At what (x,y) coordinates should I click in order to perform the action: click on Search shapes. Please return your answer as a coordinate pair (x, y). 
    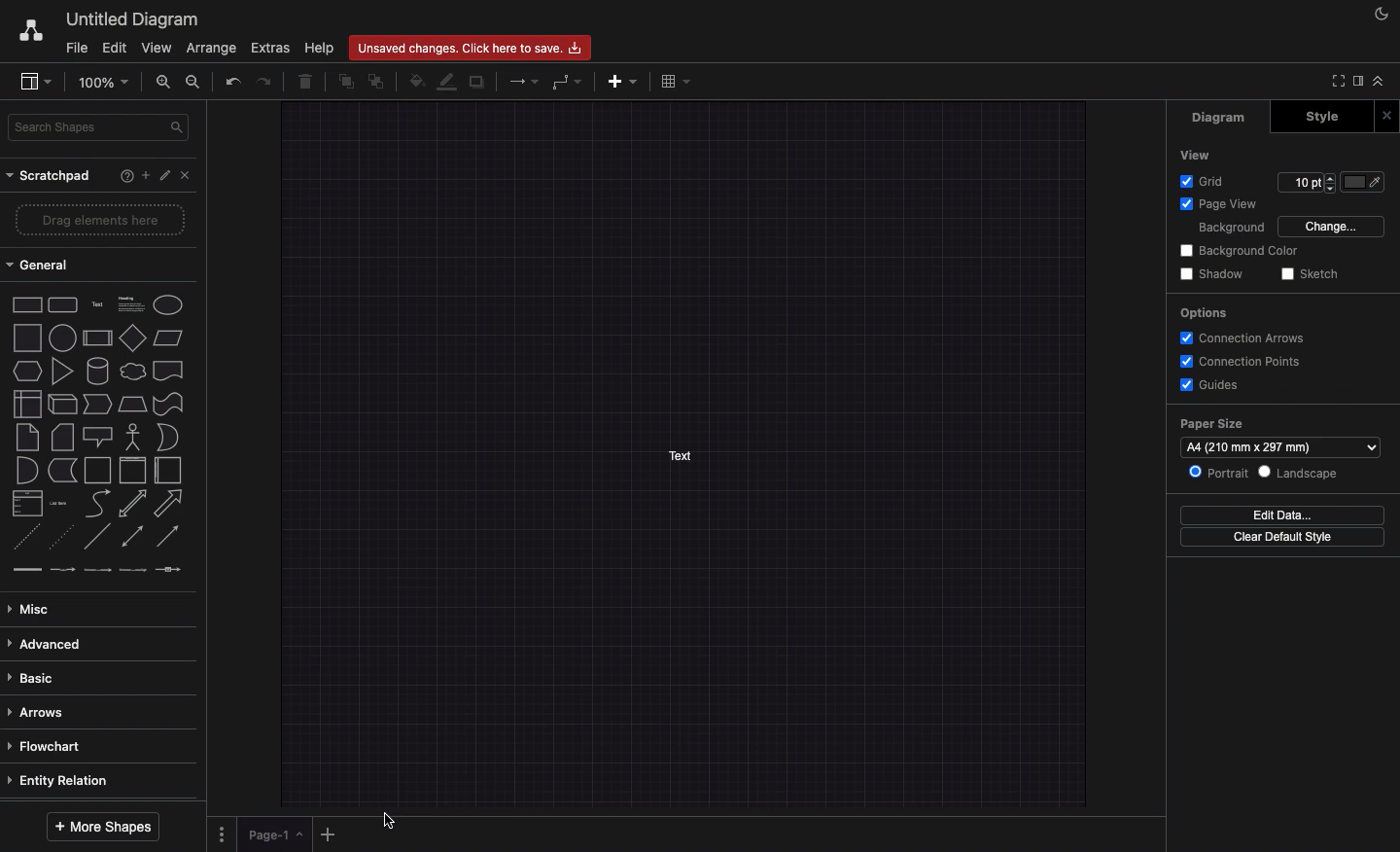
    Looking at the image, I should click on (100, 126).